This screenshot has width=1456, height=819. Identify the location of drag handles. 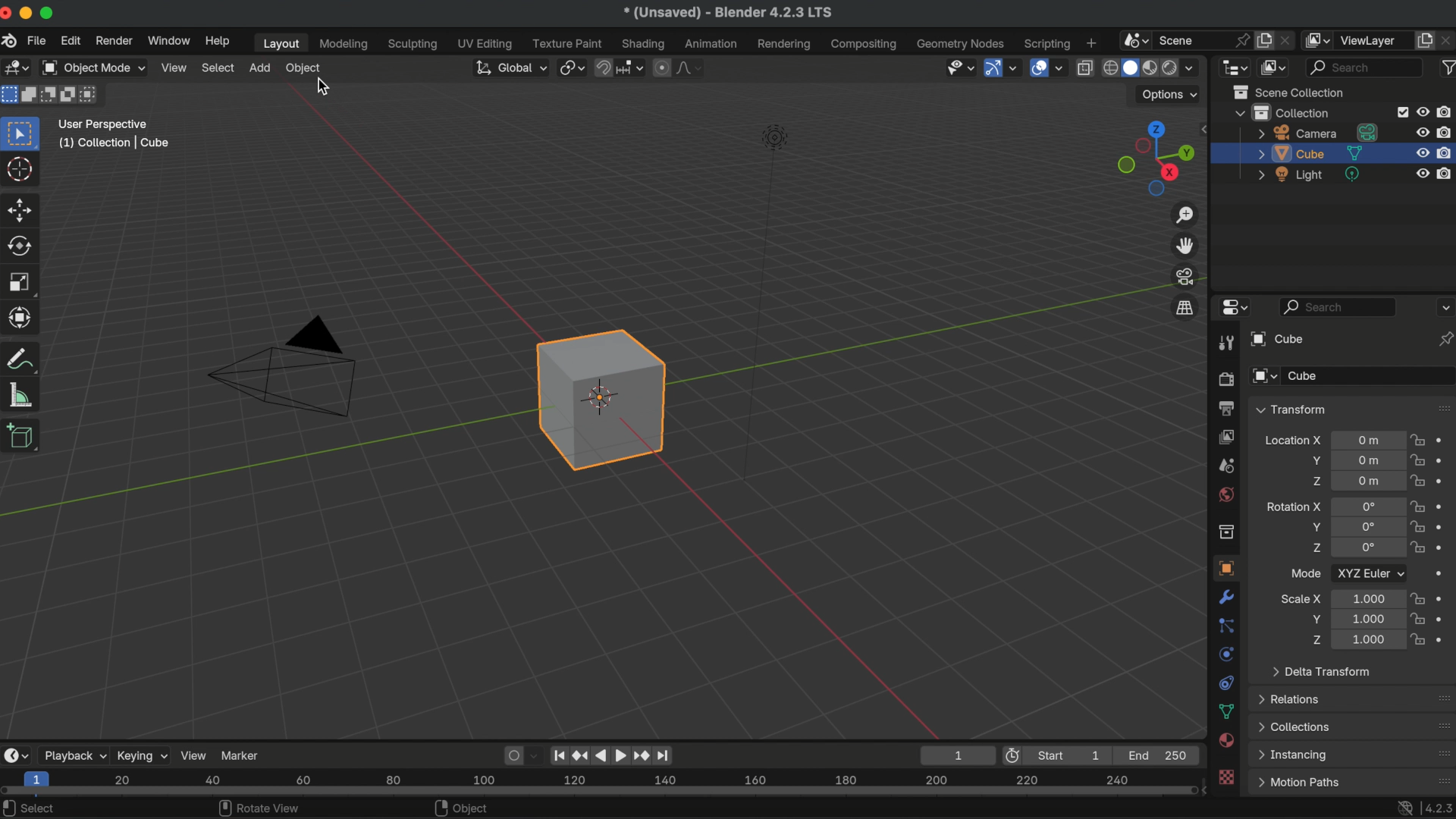
(1441, 726).